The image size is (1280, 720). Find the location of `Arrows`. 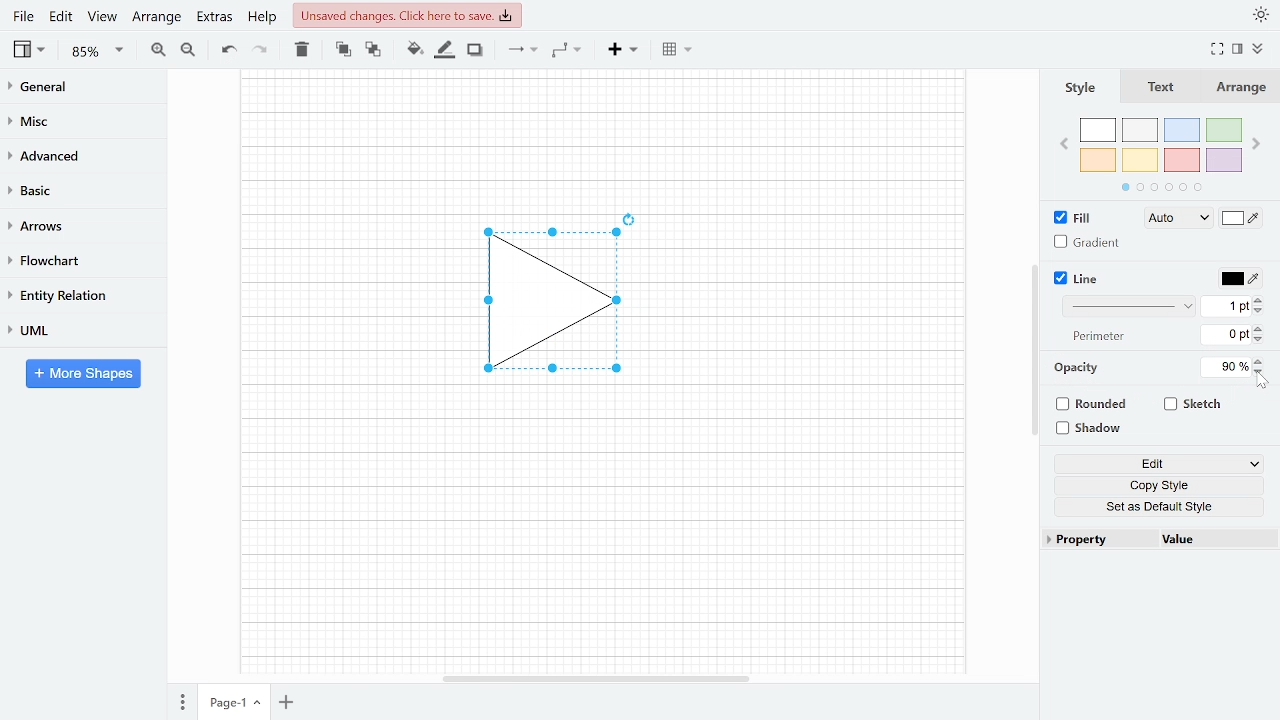

Arrows is located at coordinates (74, 225).